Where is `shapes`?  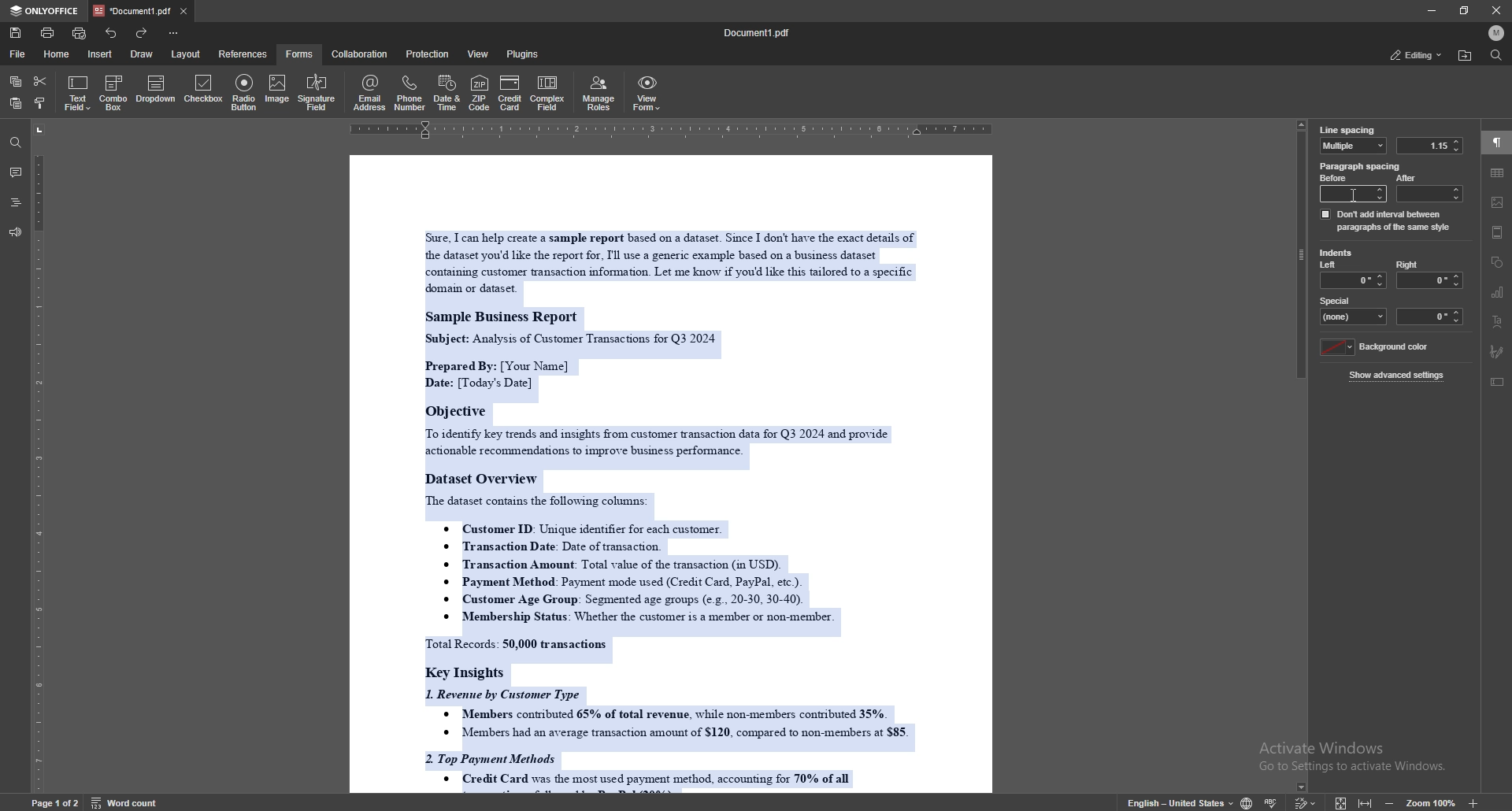 shapes is located at coordinates (1498, 262).